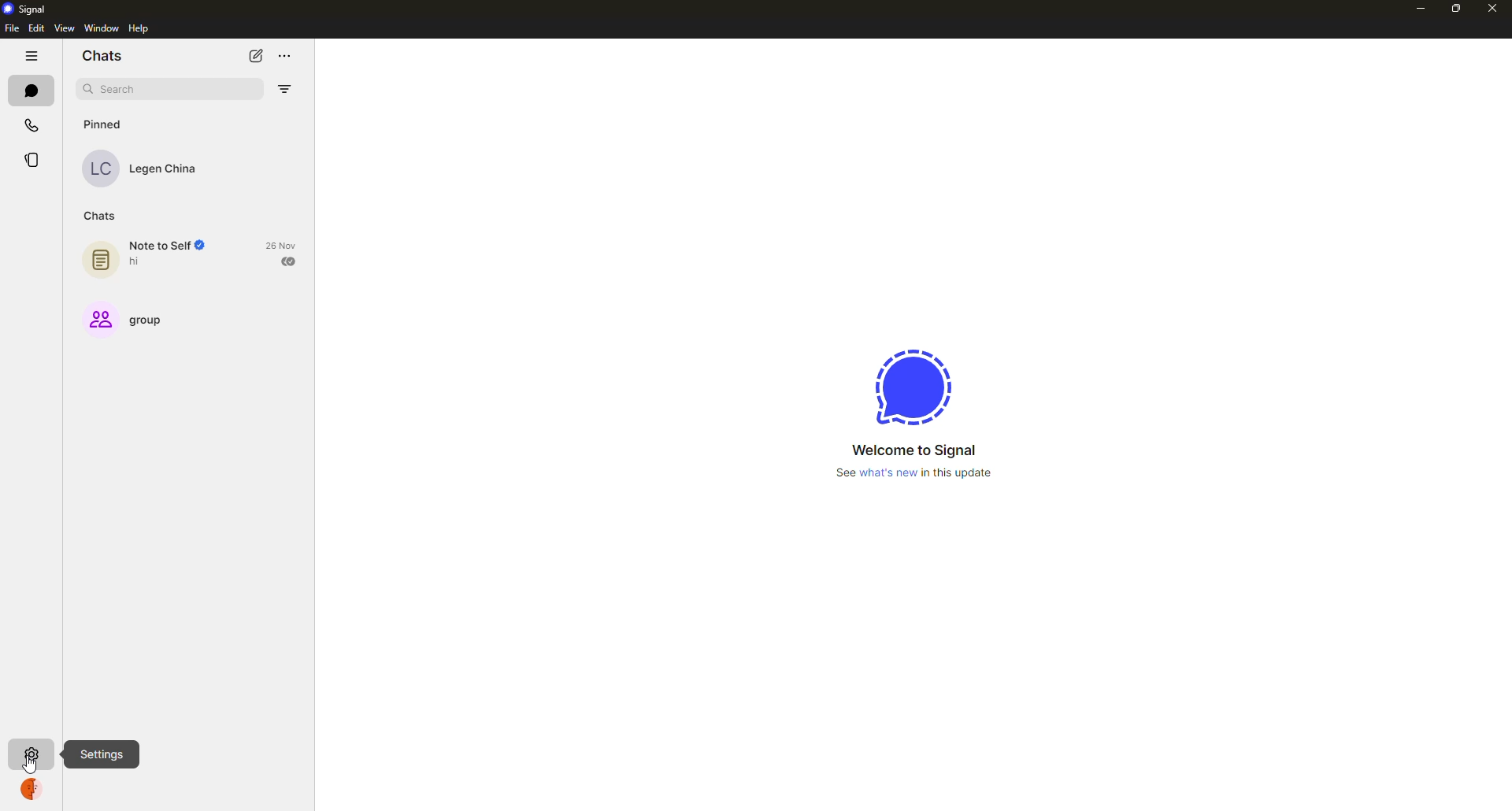  Describe the element at coordinates (290, 261) in the screenshot. I see `sent` at that location.